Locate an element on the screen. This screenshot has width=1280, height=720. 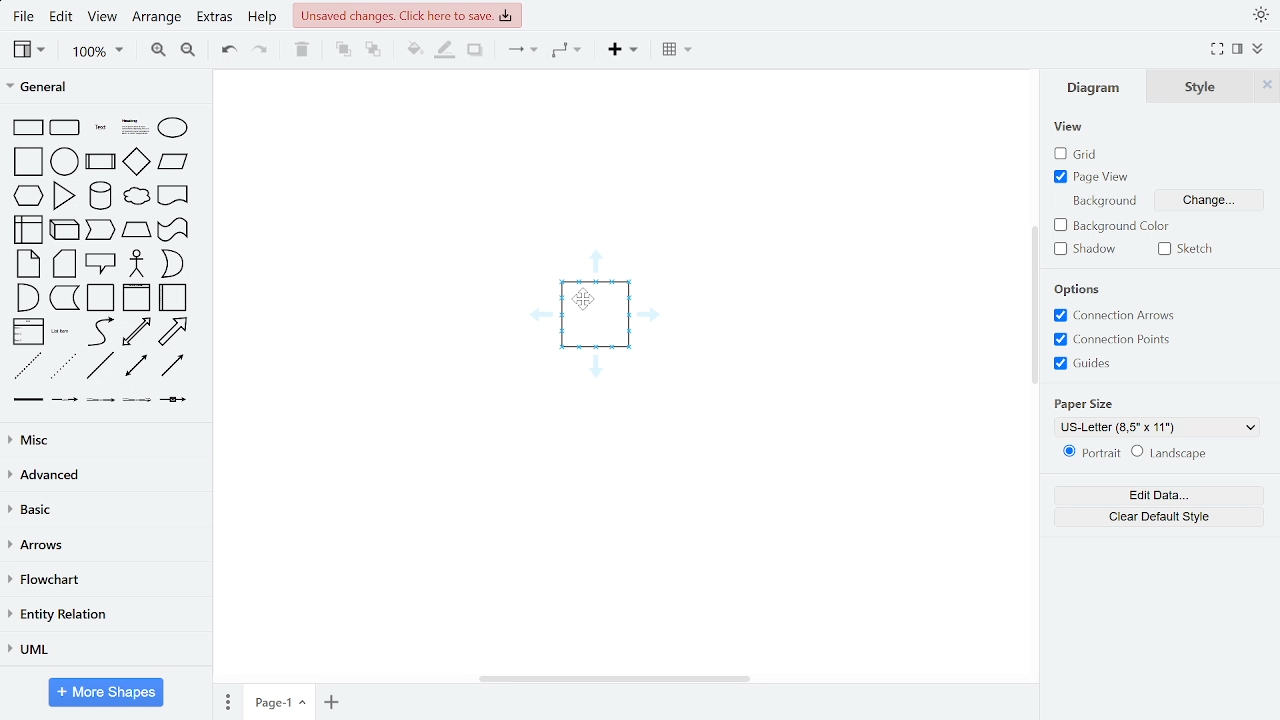
general shapes is located at coordinates (64, 296).